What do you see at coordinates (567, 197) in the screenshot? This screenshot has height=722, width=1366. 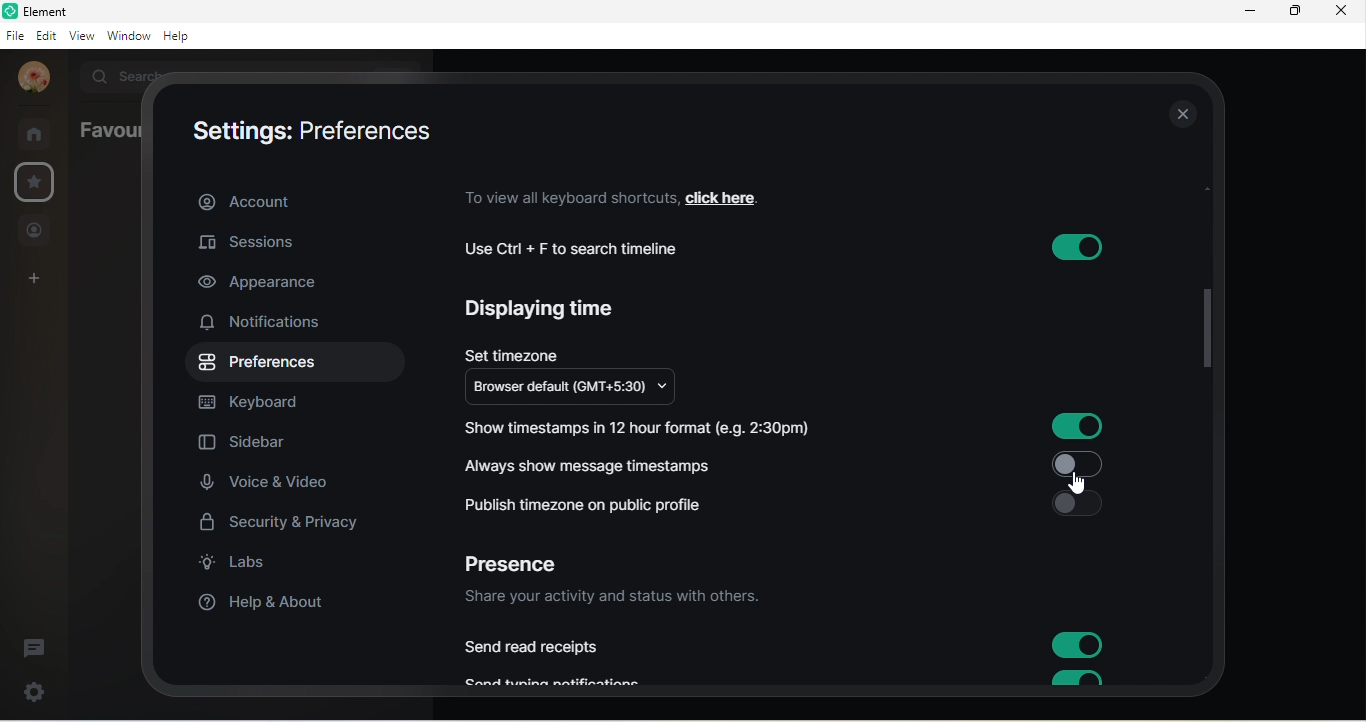 I see `to view all keyboard shortcuts,` at bounding box center [567, 197].